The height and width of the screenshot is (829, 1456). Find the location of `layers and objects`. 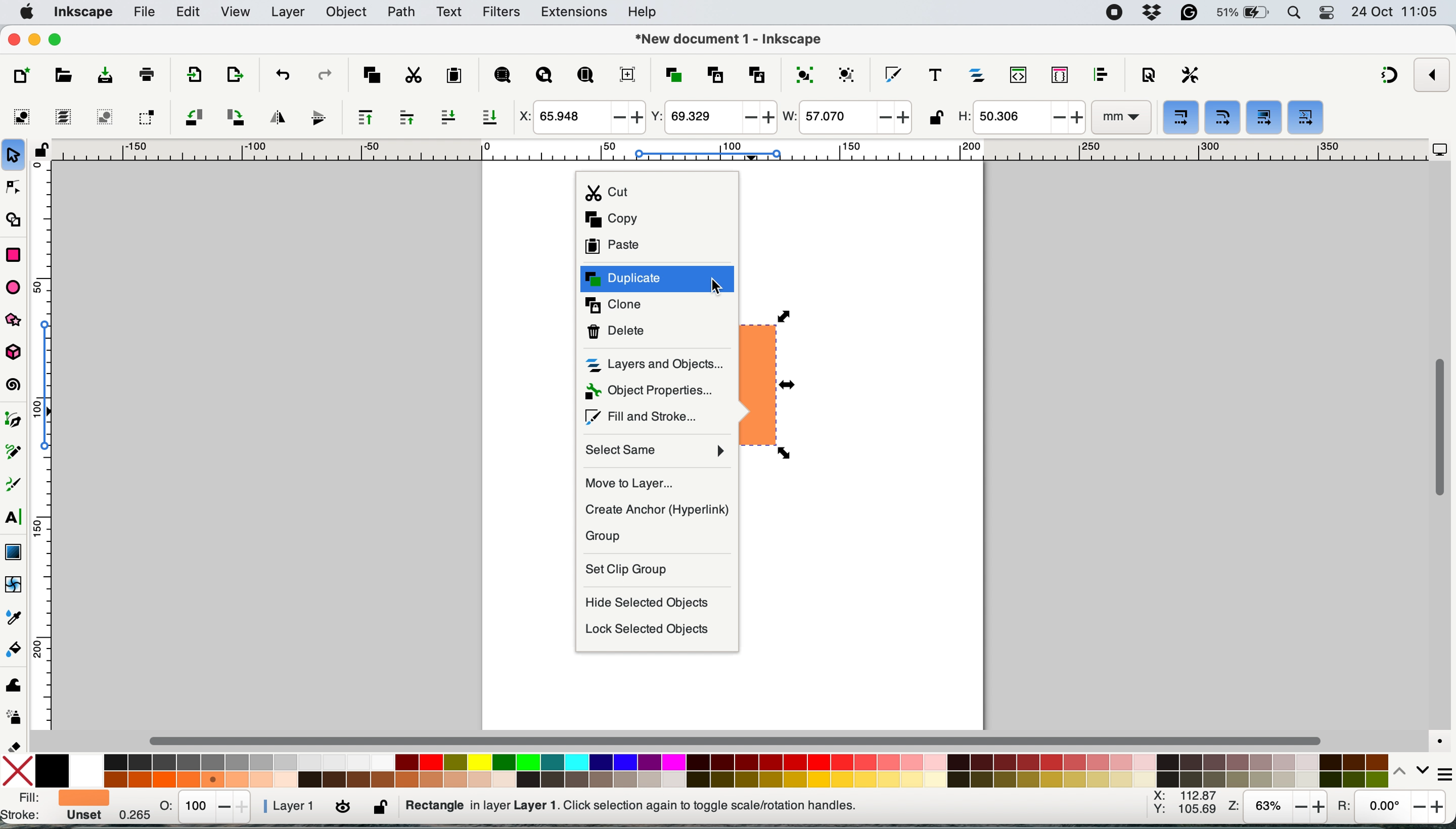

layers and objects is located at coordinates (979, 75).